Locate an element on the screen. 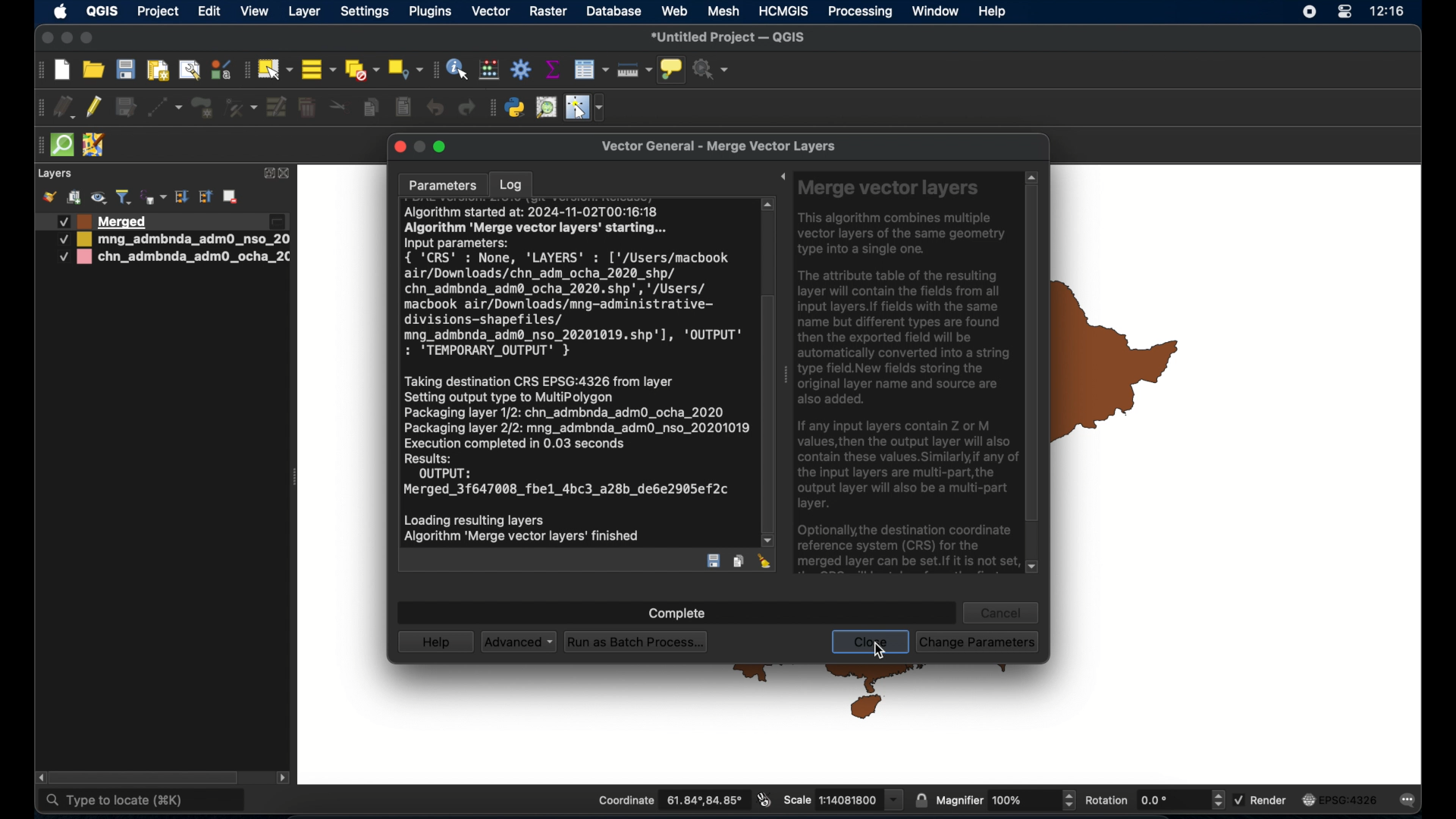  scroll right arrow is located at coordinates (284, 780).